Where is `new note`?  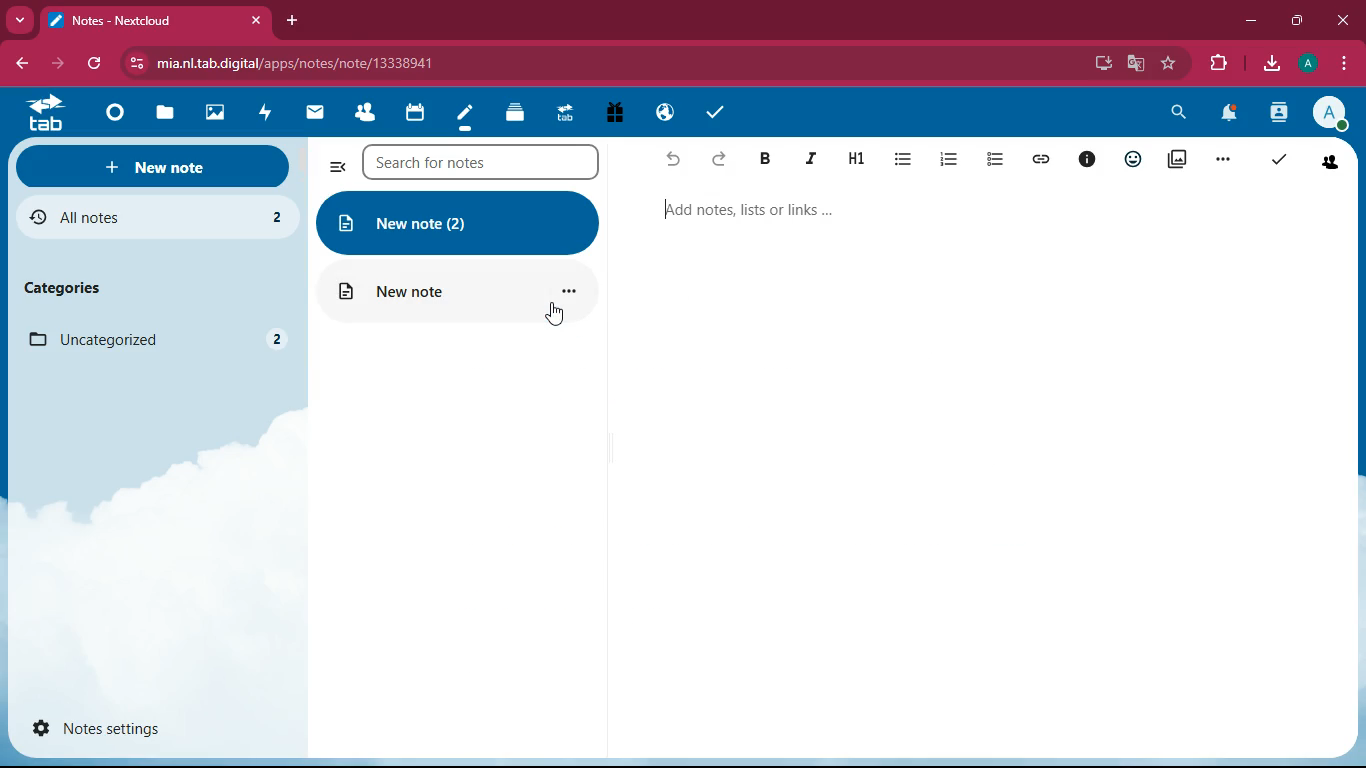 new note is located at coordinates (154, 165).